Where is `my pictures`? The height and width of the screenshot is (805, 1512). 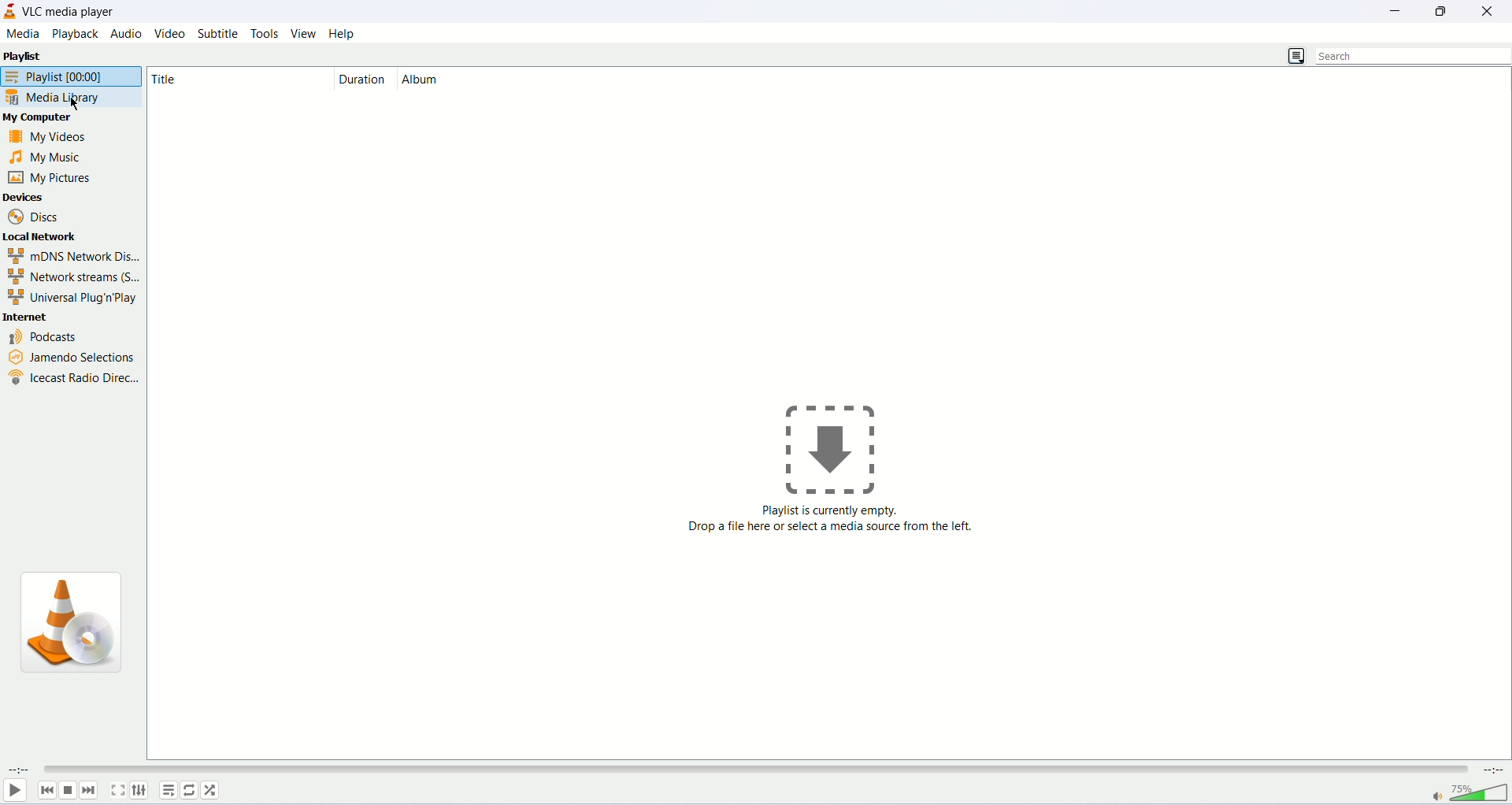 my pictures is located at coordinates (50, 177).